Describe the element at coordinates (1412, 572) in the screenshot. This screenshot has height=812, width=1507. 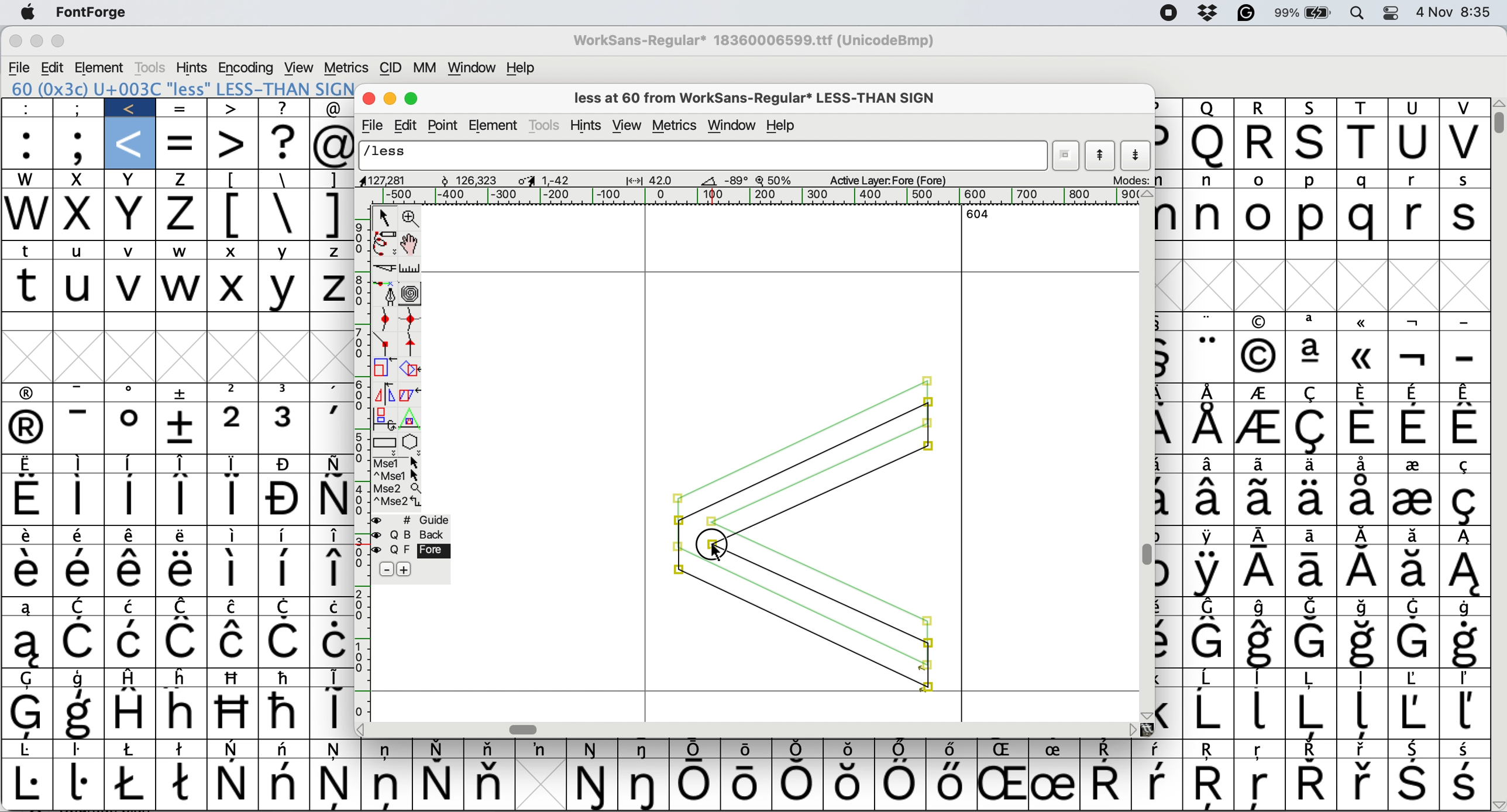
I see `Symbol` at that location.